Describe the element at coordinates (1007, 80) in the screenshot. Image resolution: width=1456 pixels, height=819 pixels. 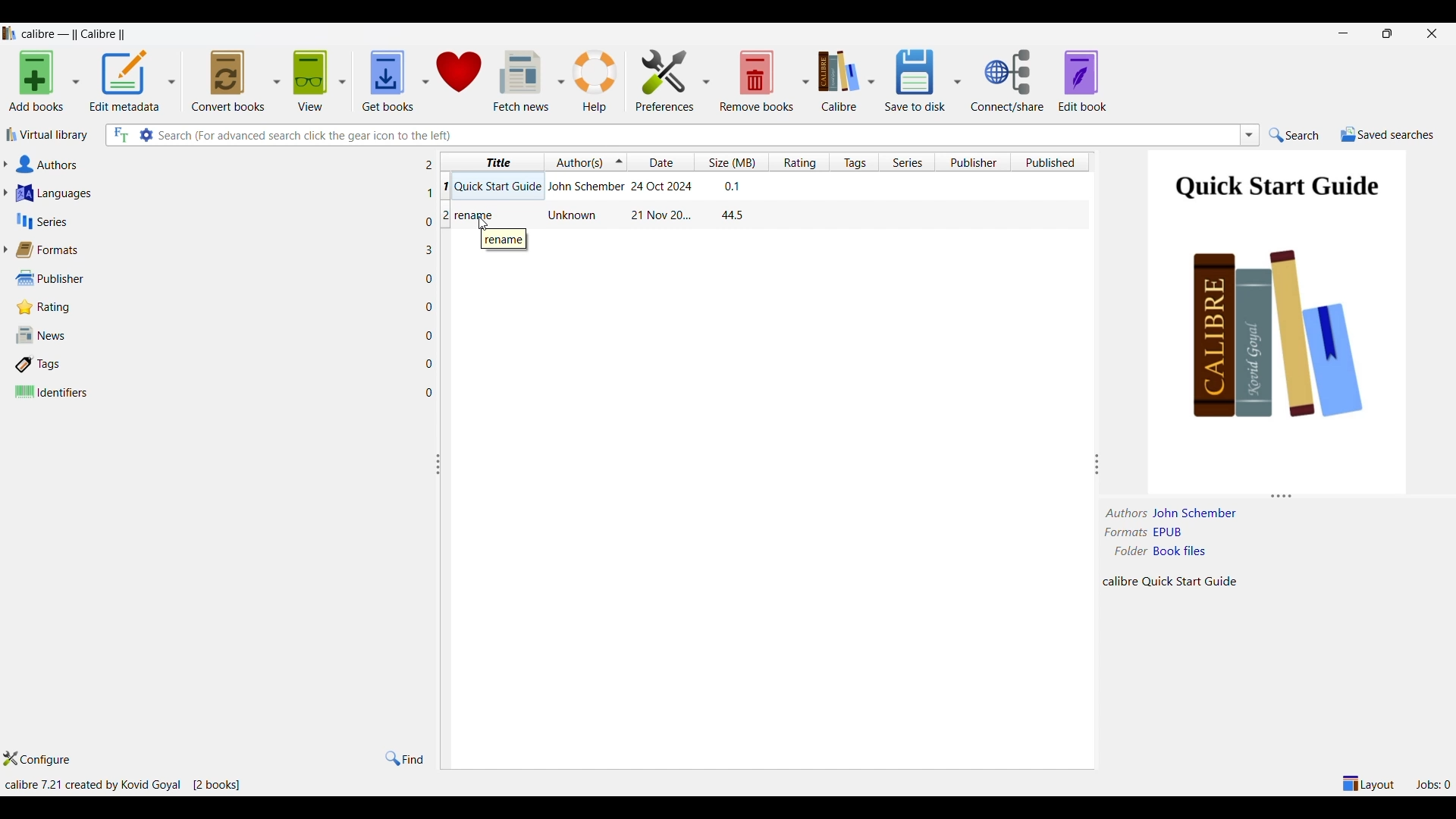
I see `Connect/Share` at that location.